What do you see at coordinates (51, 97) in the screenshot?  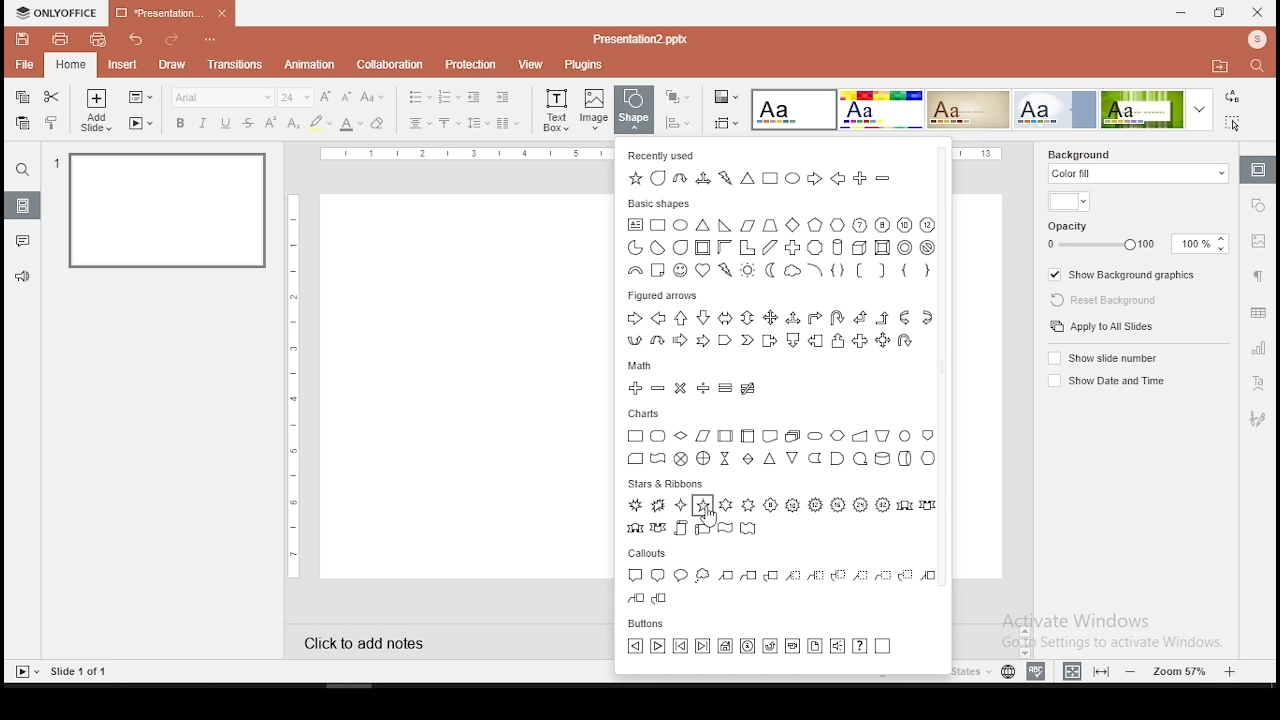 I see `cut` at bounding box center [51, 97].